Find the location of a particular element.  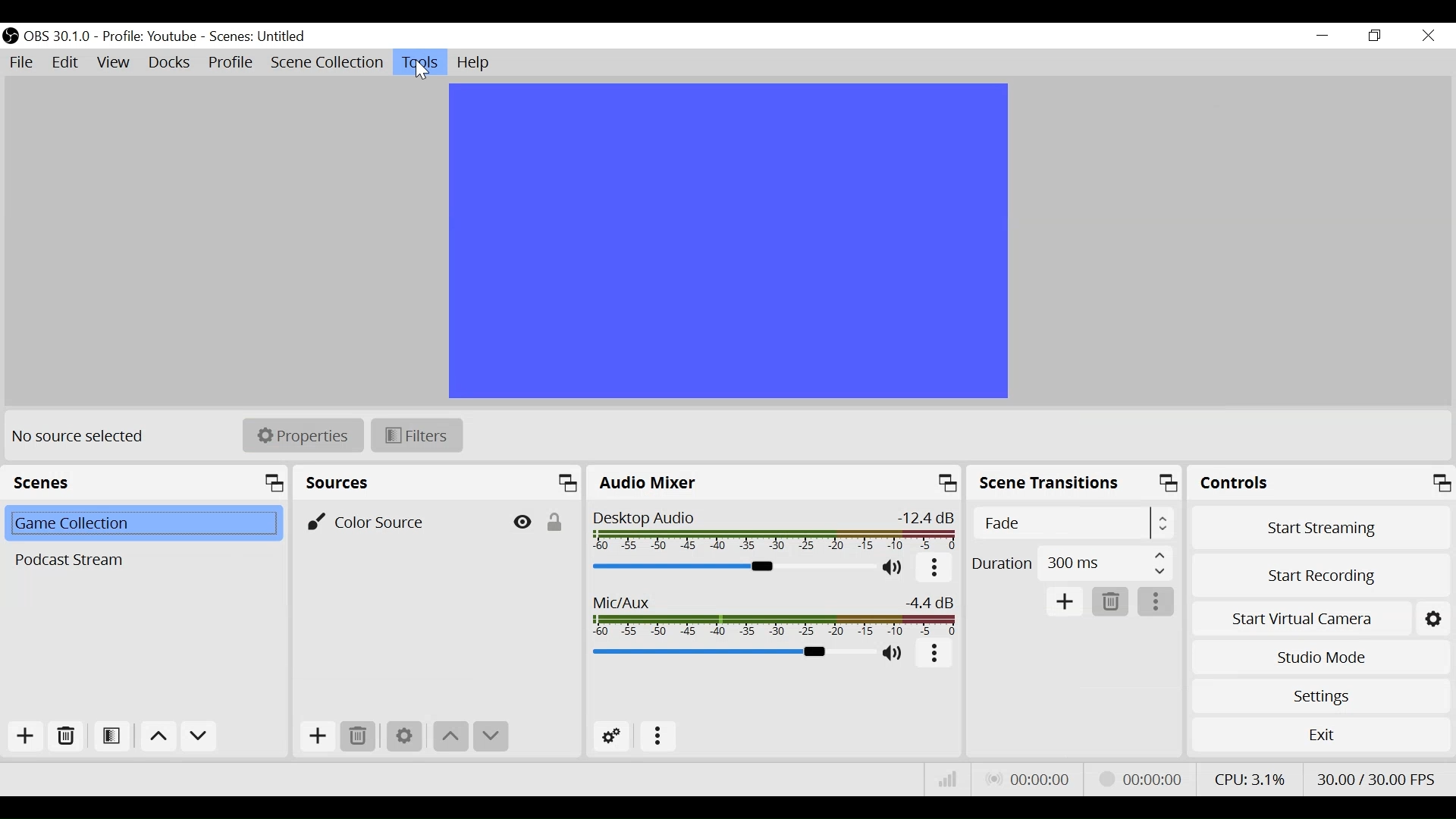

Restore is located at coordinates (1373, 36).